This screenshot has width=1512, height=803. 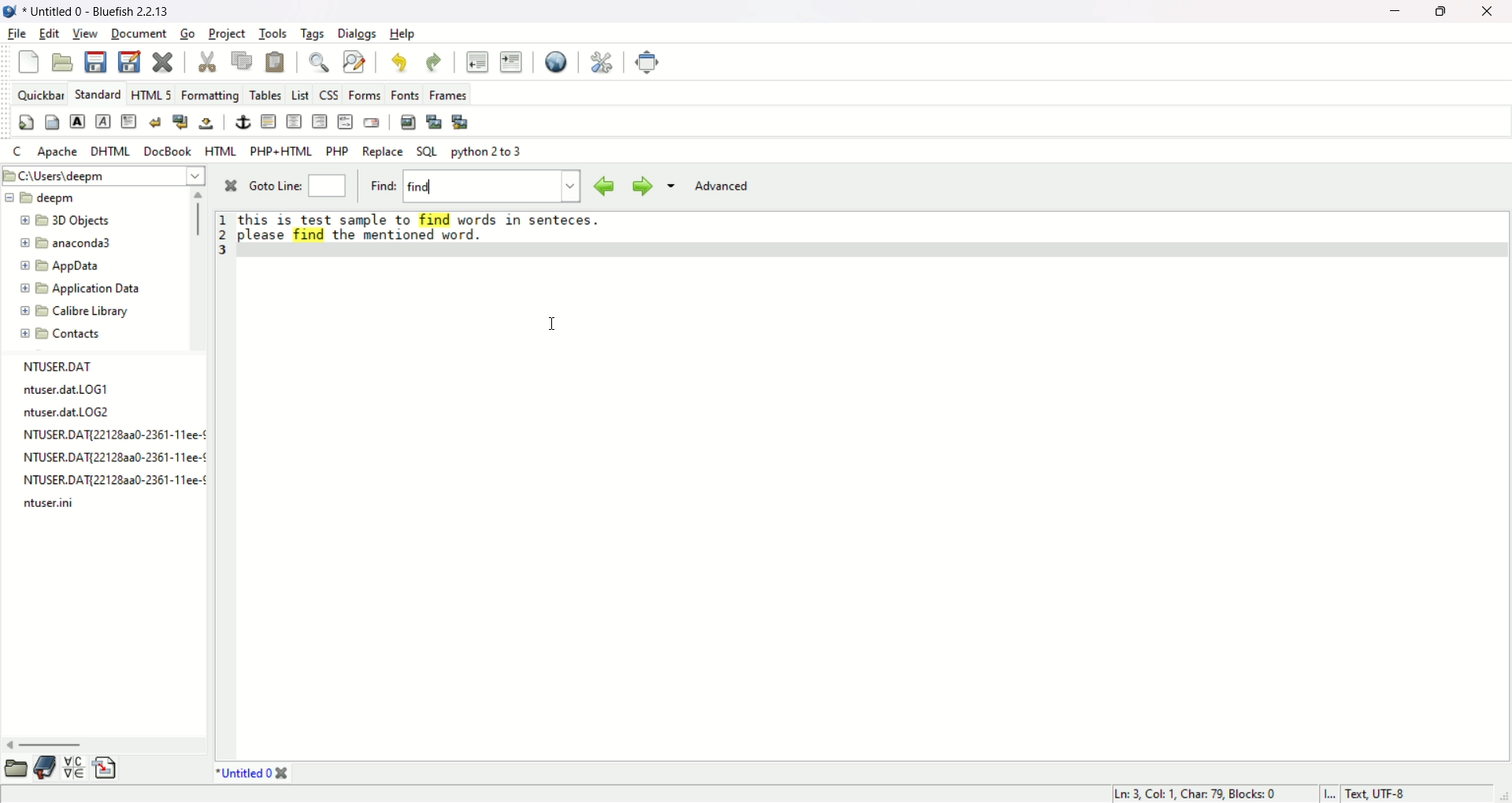 I want to click on new, so click(x=29, y=61).